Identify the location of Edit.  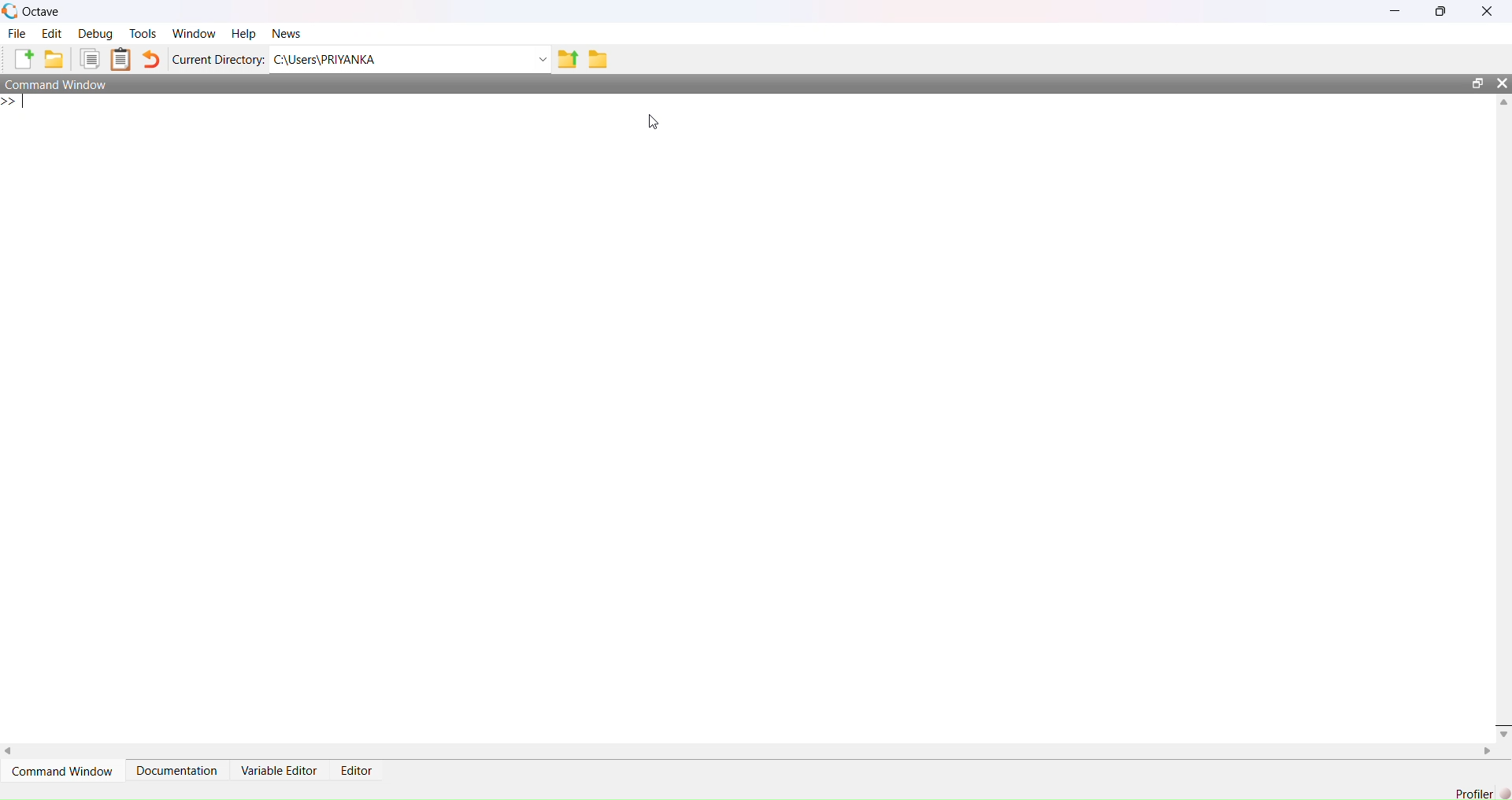
(52, 33).